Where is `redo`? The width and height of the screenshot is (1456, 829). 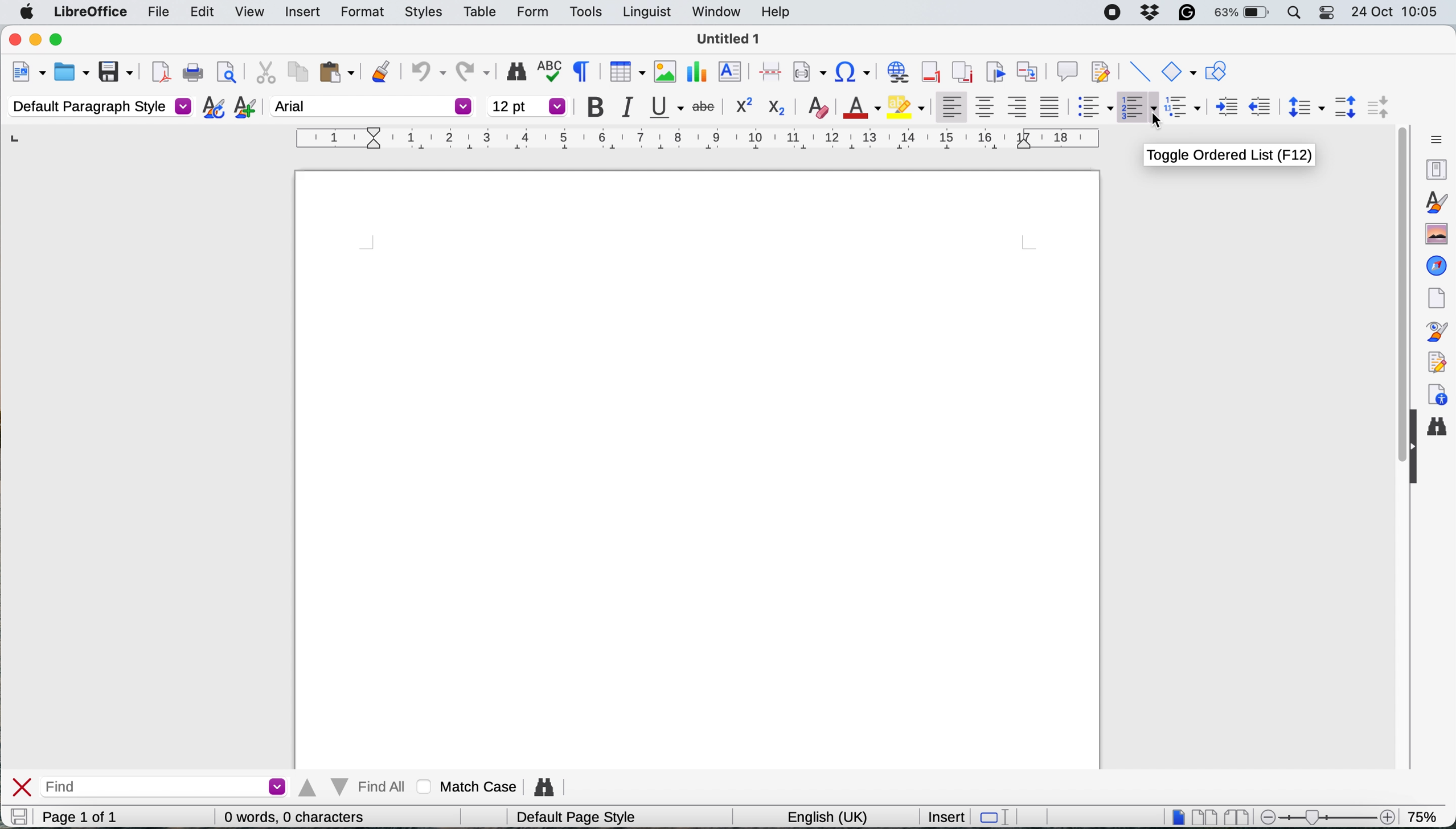
redo is located at coordinates (474, 68).